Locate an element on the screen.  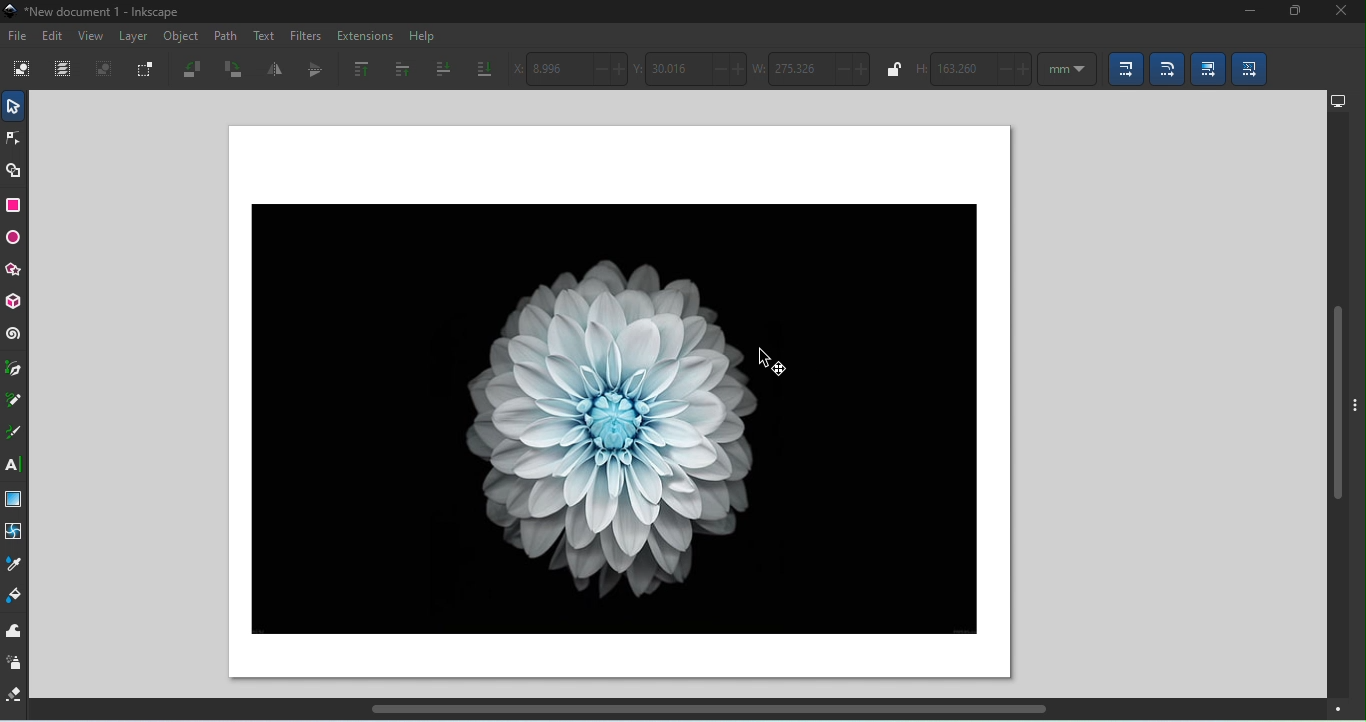
Close is located at coordinates (1342, 12).